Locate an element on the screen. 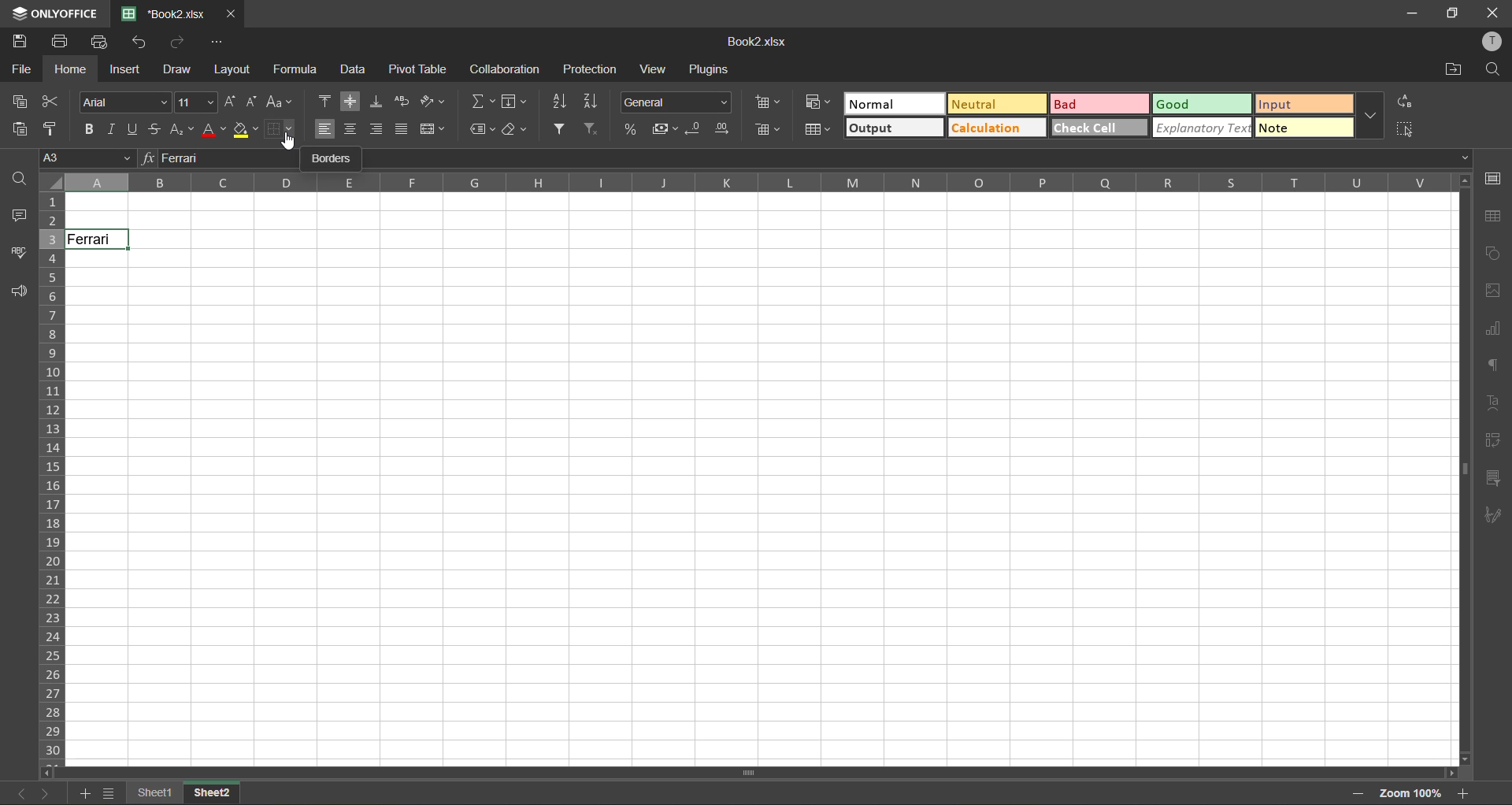  collaboration is located at coordinates (502, 69).